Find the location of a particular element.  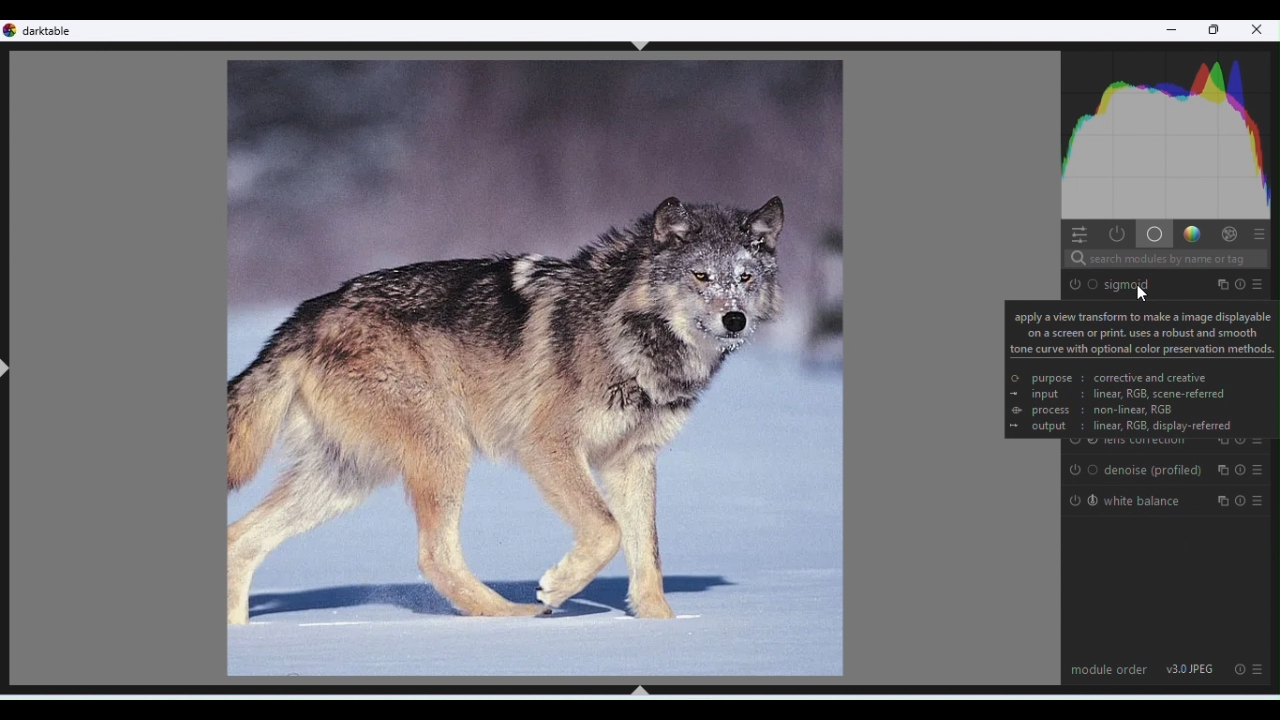

purpose : corrective and creative is located at coordinates (1119, 379).